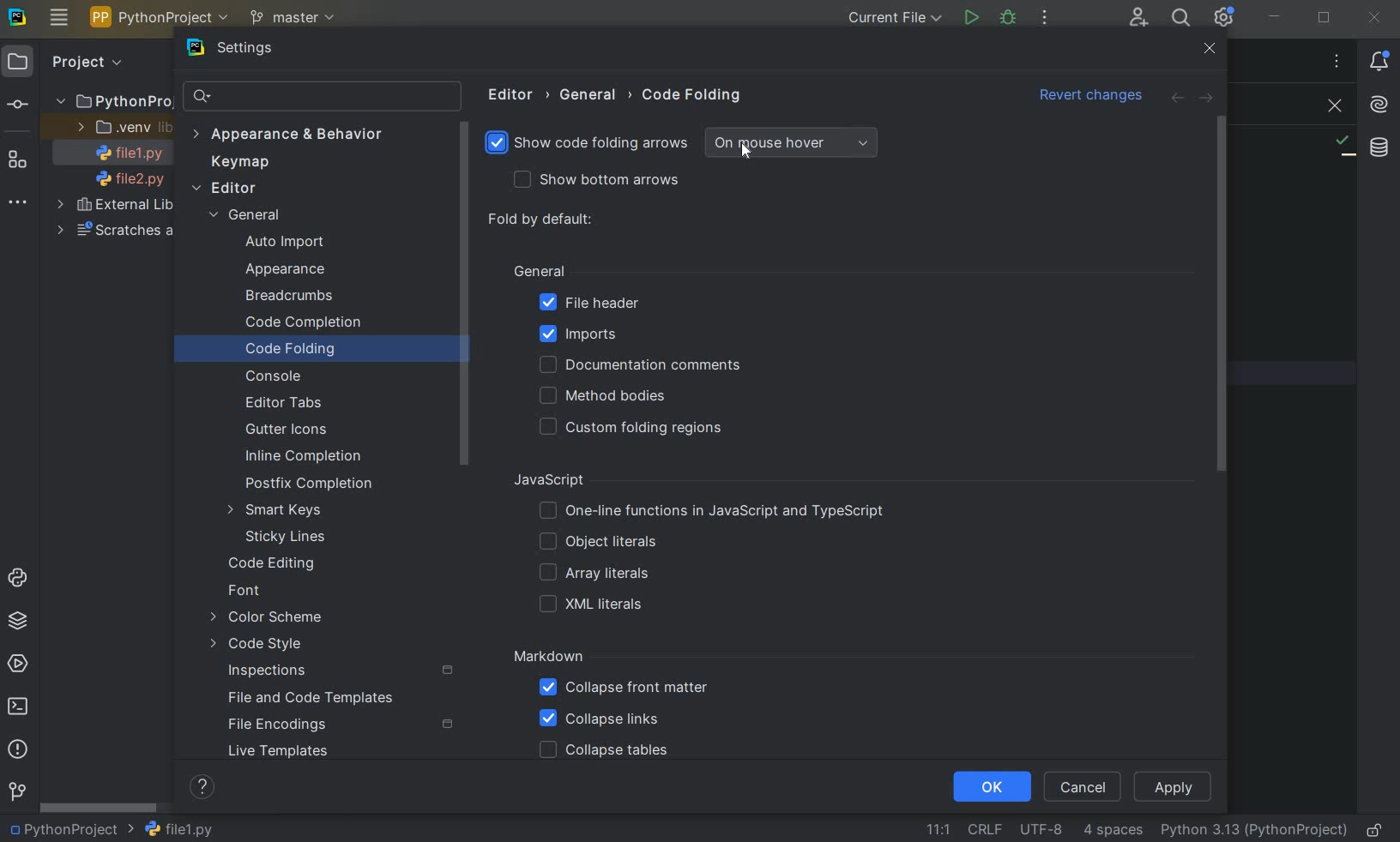  I want to click on FILE NAME 1, so click(124, 154).